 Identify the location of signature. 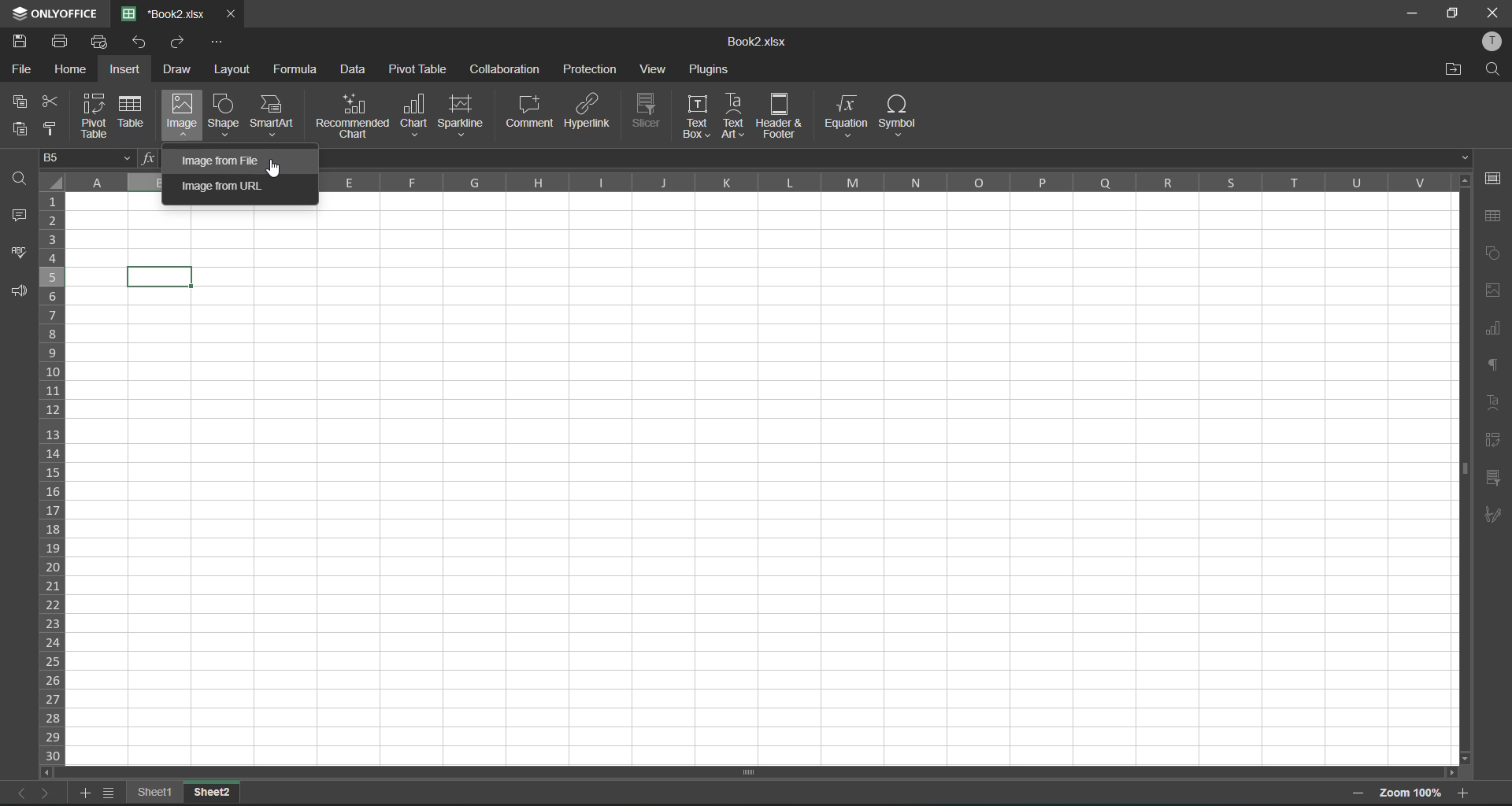
(1495, 514).